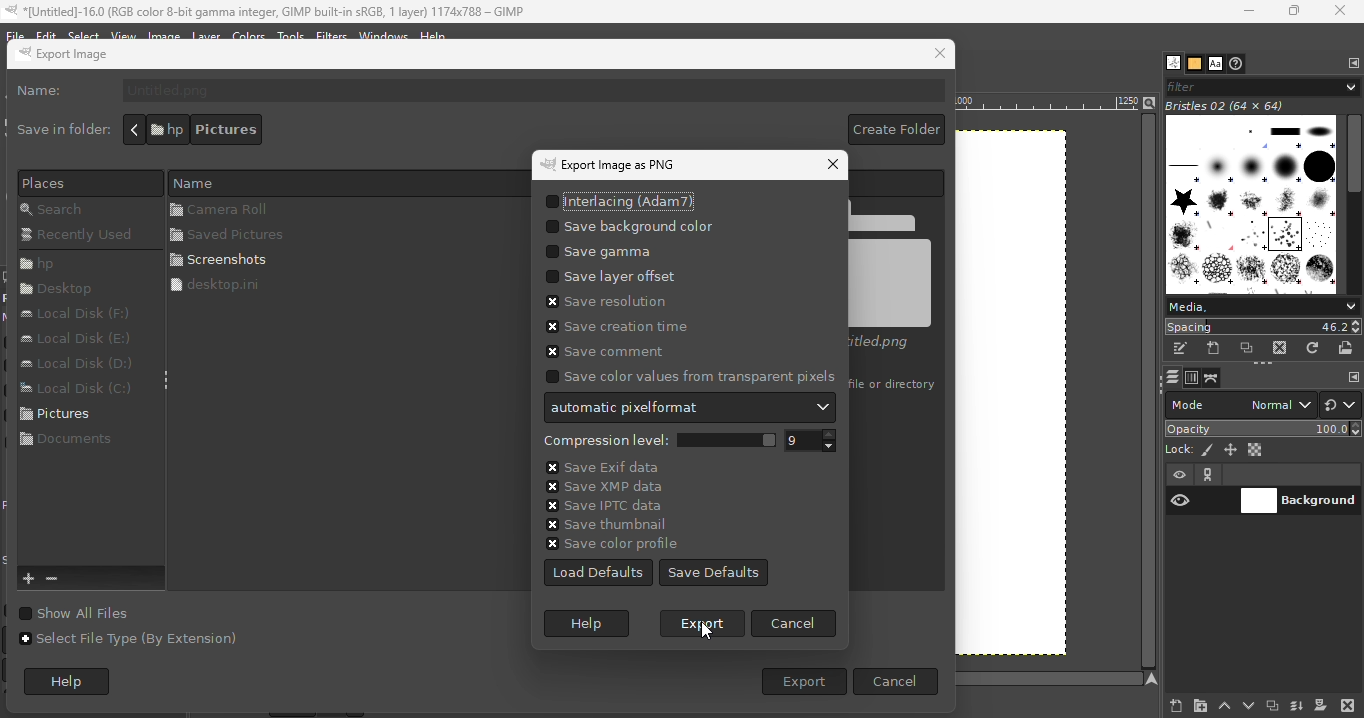 This screenshot has height=718, width=1364. I want to click on my Pictures, so click(333, 130).